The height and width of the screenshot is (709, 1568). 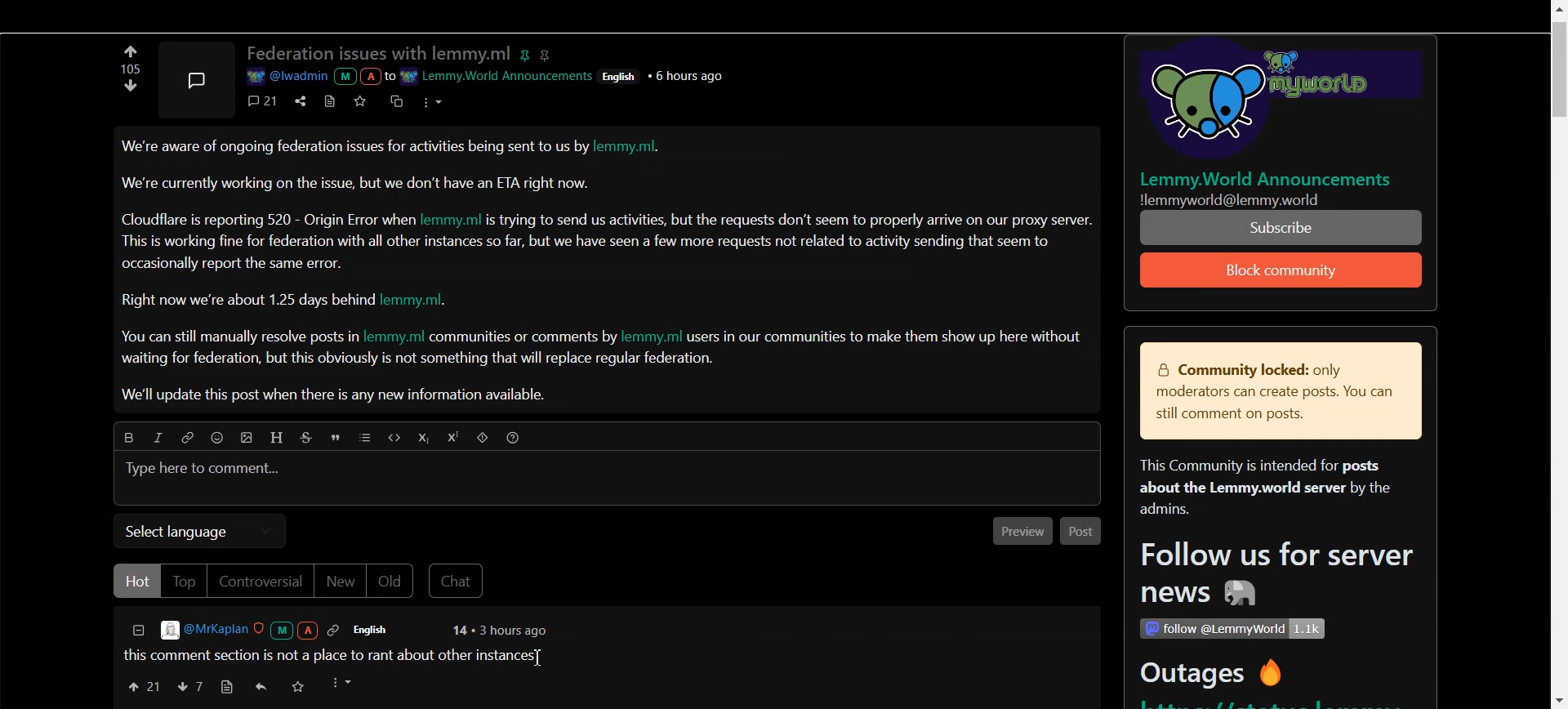 What do you see at coordinates (327, 653) in the screenshot?
I see `this comment section is not a place to rant about other instances` at bounding box center [327, 653].